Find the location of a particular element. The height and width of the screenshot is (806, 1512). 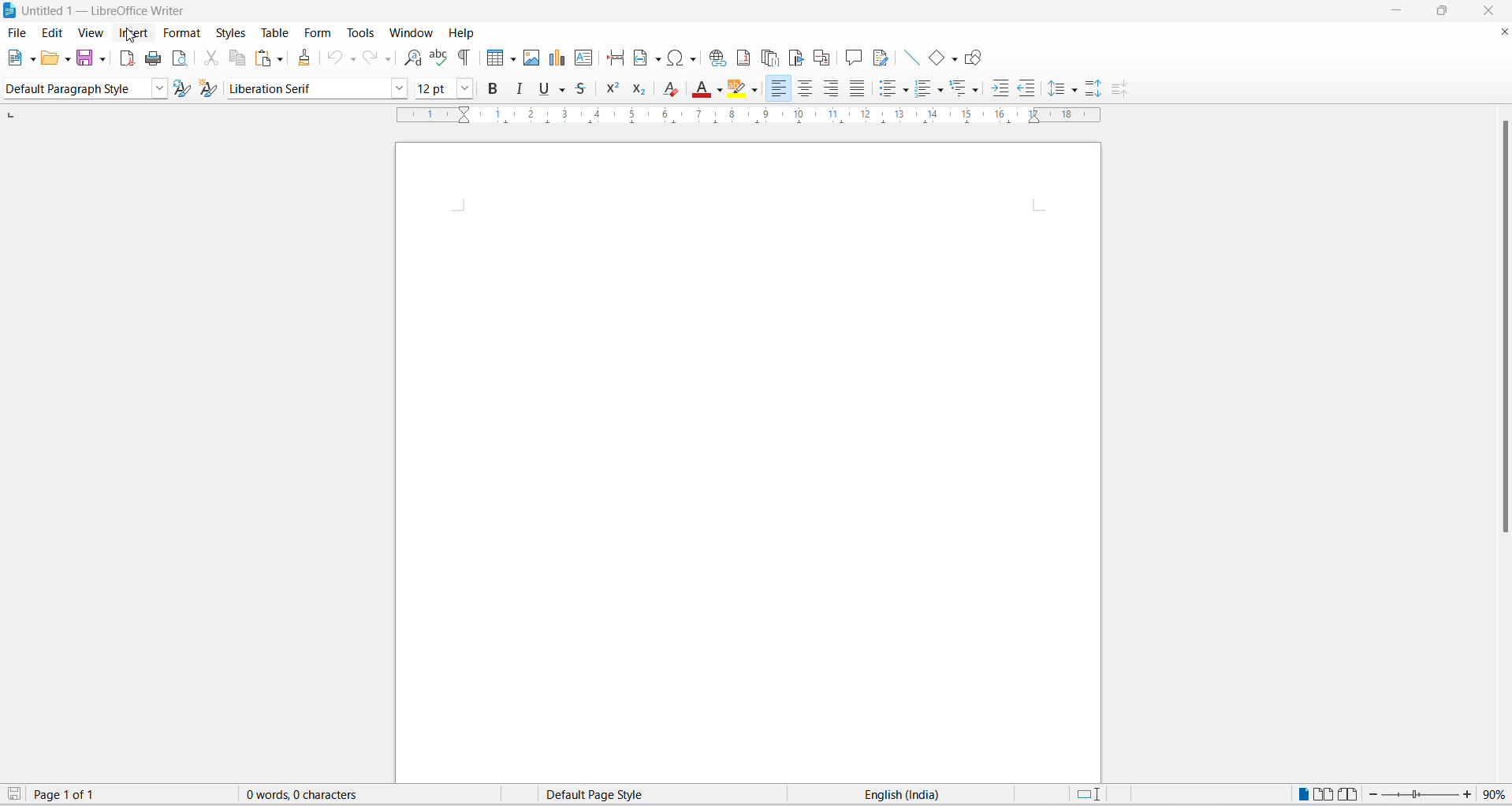

table grid is located at coordinates (512, 59).